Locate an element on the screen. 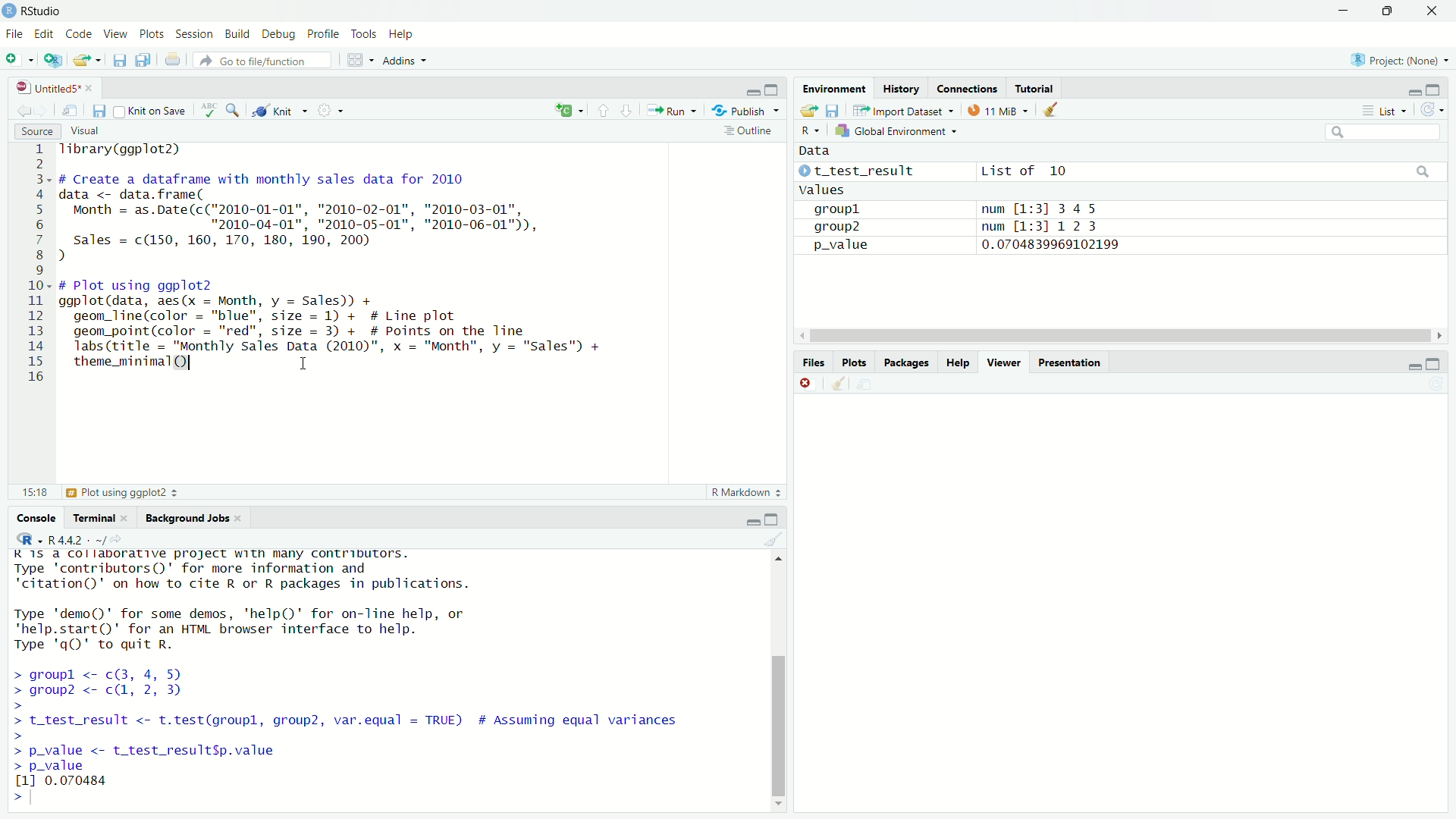  check is located at coordinates (207, 110).